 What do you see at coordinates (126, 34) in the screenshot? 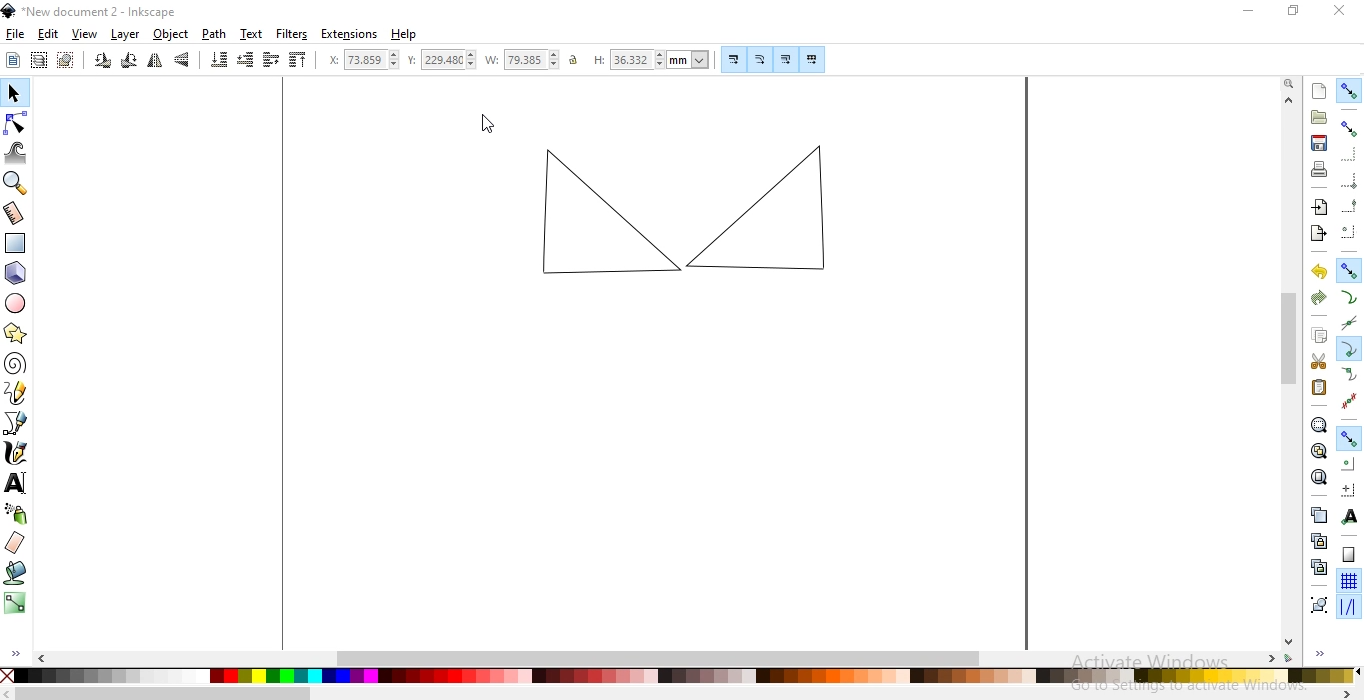
I see `layer` at bounding box center [126, 34].